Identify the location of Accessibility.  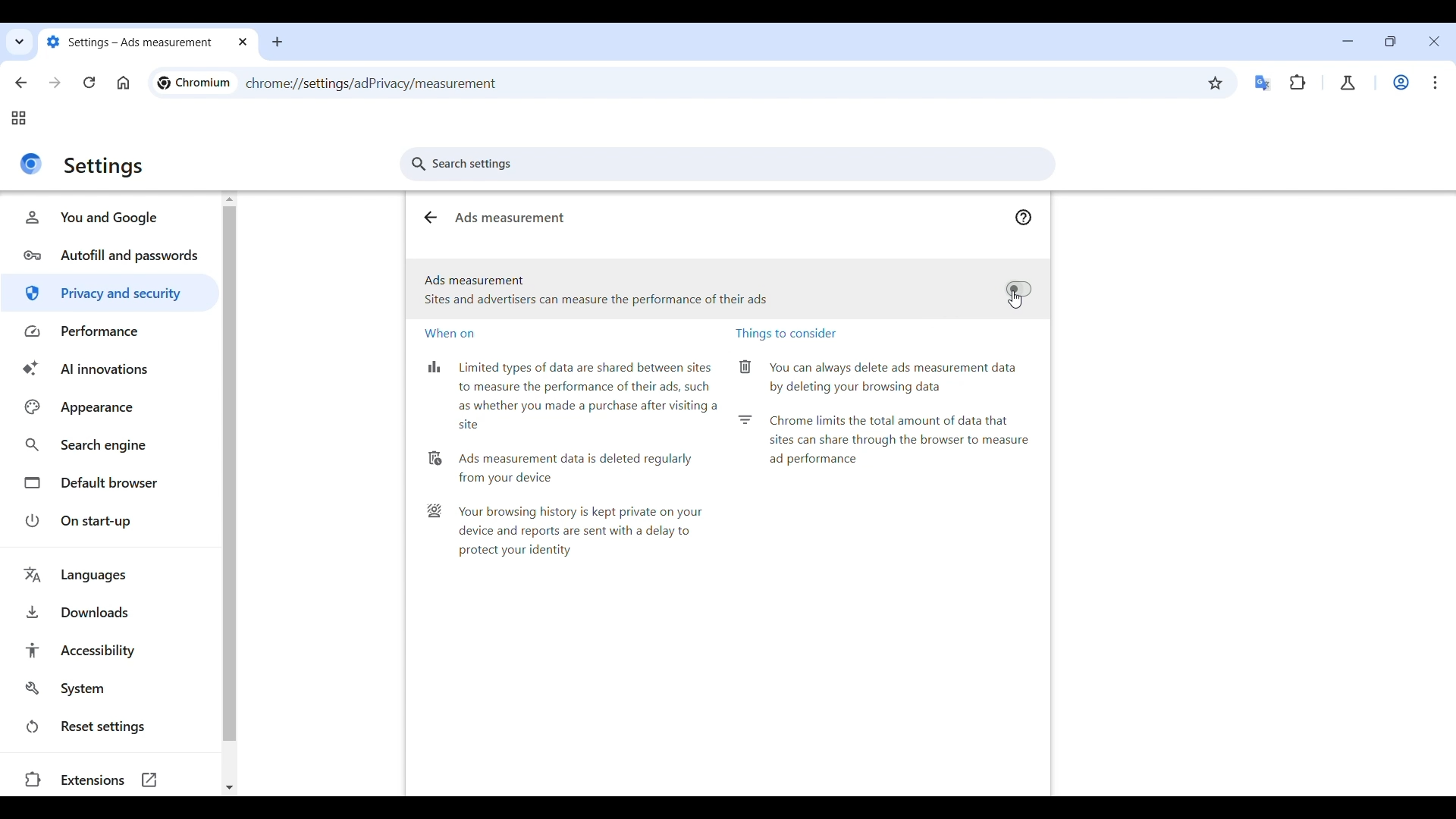
(111, 650).